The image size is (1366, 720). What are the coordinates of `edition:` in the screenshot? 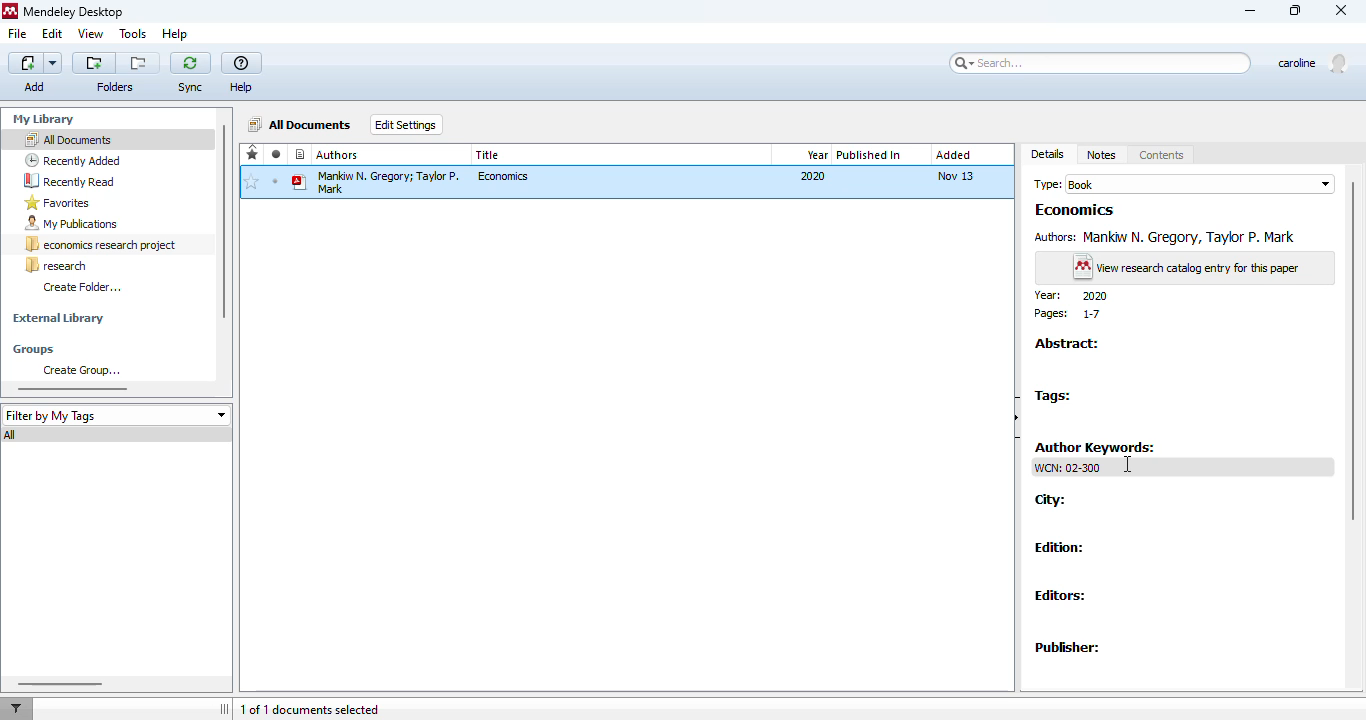 It's located at (1060, 547).